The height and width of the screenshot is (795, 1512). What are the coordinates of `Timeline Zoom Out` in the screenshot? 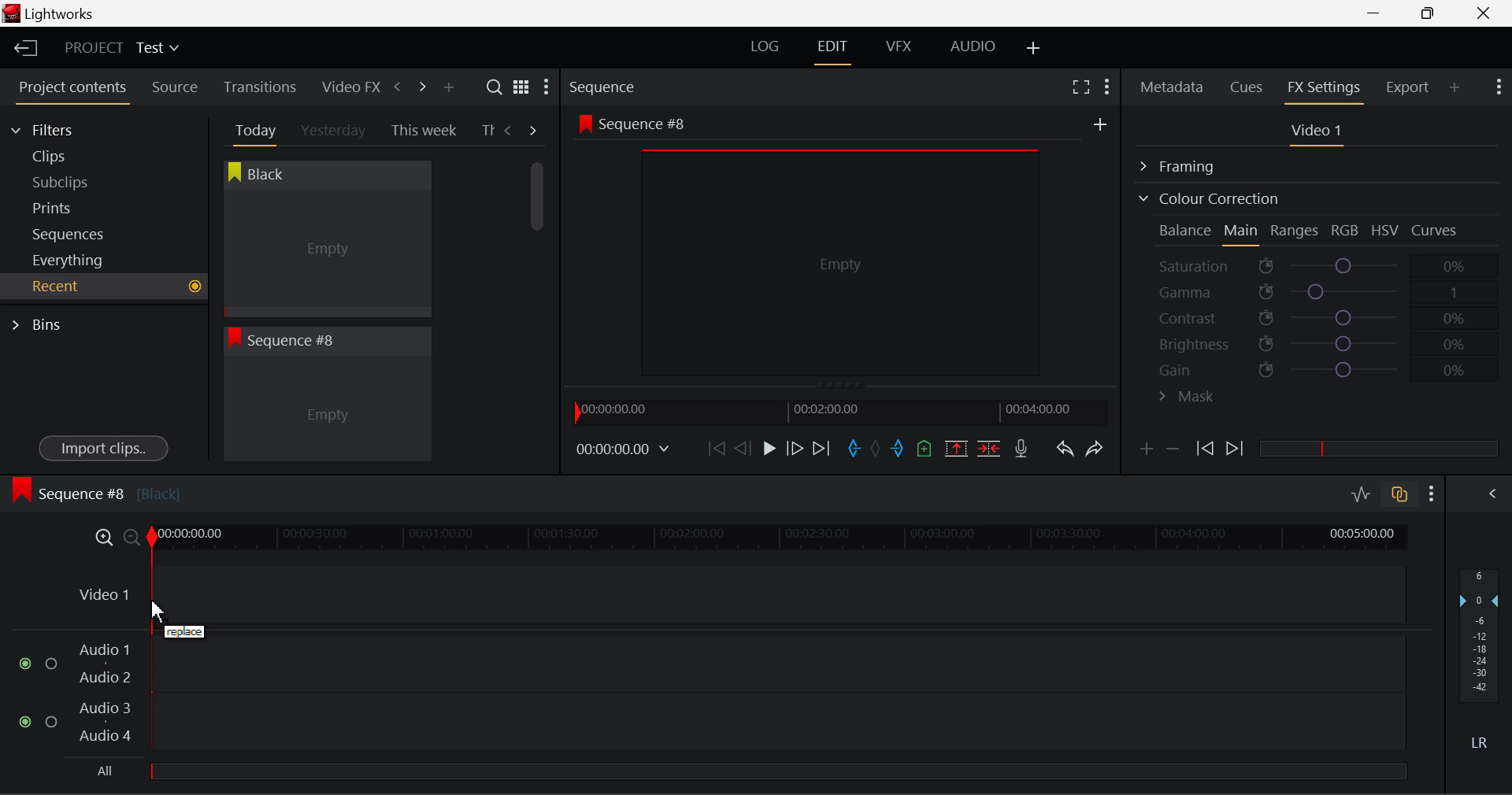 It's located at (131, 537).